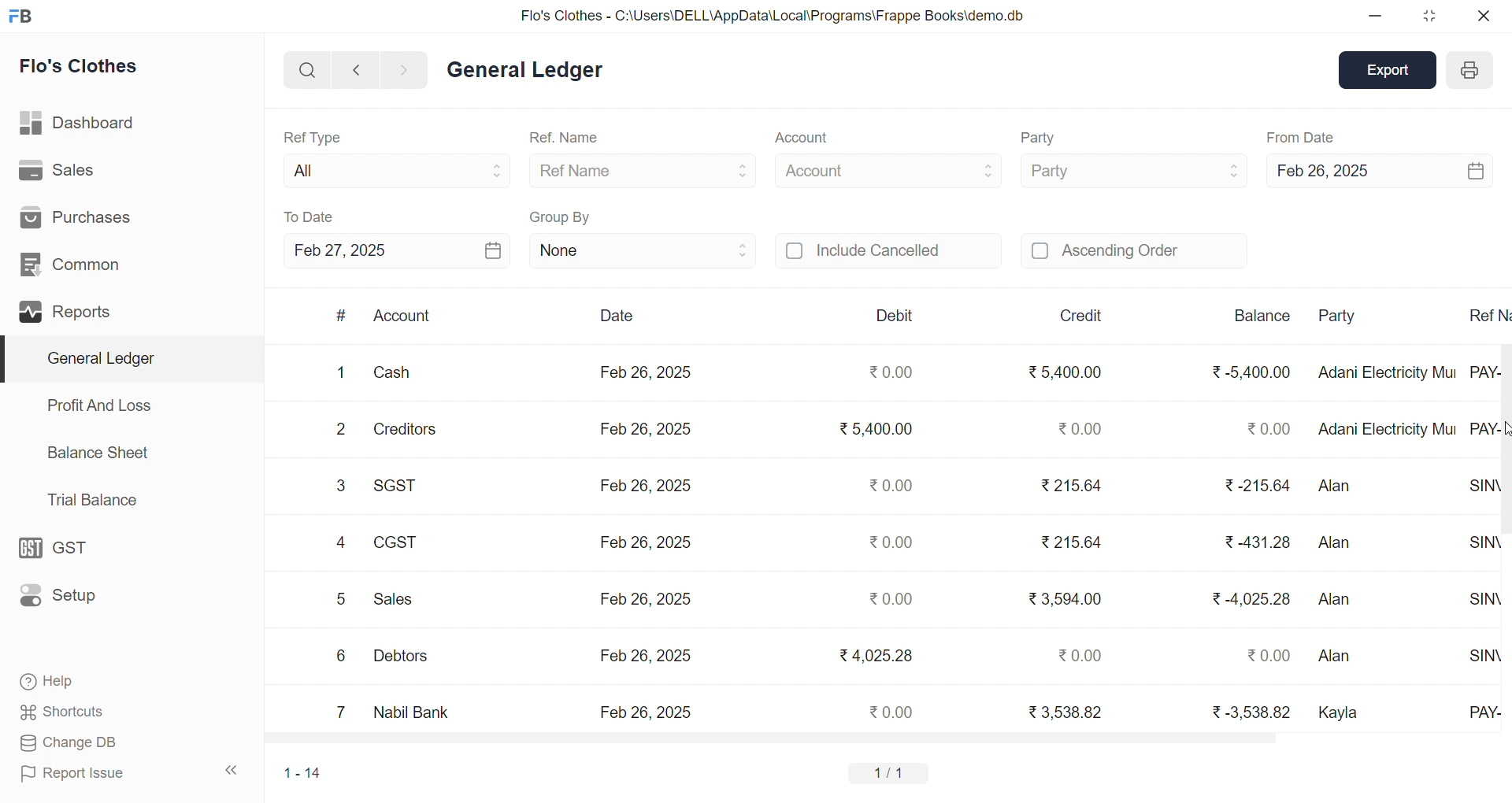 The width and height of the screenshot is (1512, 803). What do you see at coordinates (1251, 598) in the screenshot?
I see `₹-4,025.28` at bounding box center [1251, 598].